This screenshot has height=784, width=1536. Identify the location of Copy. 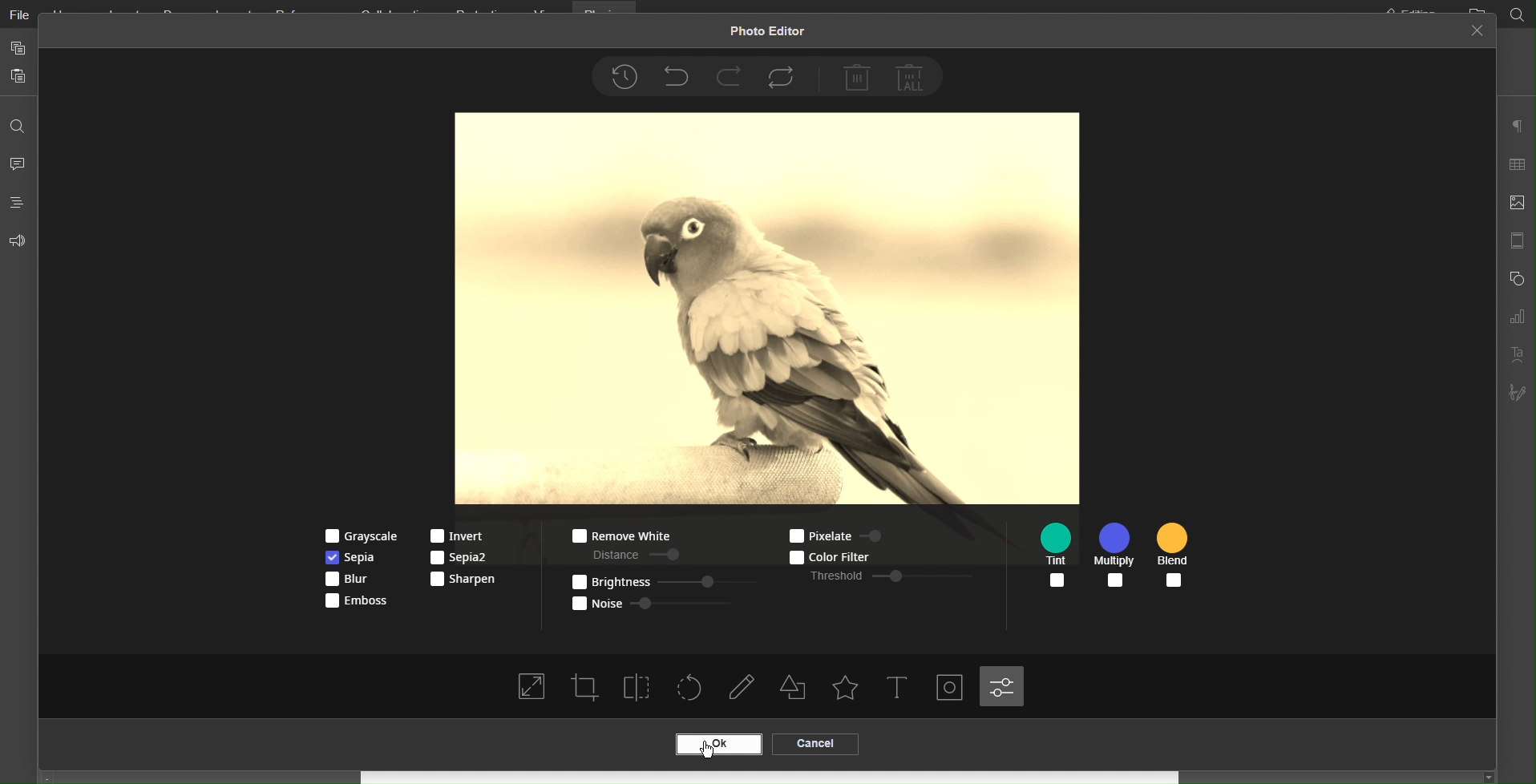
(18, 47).